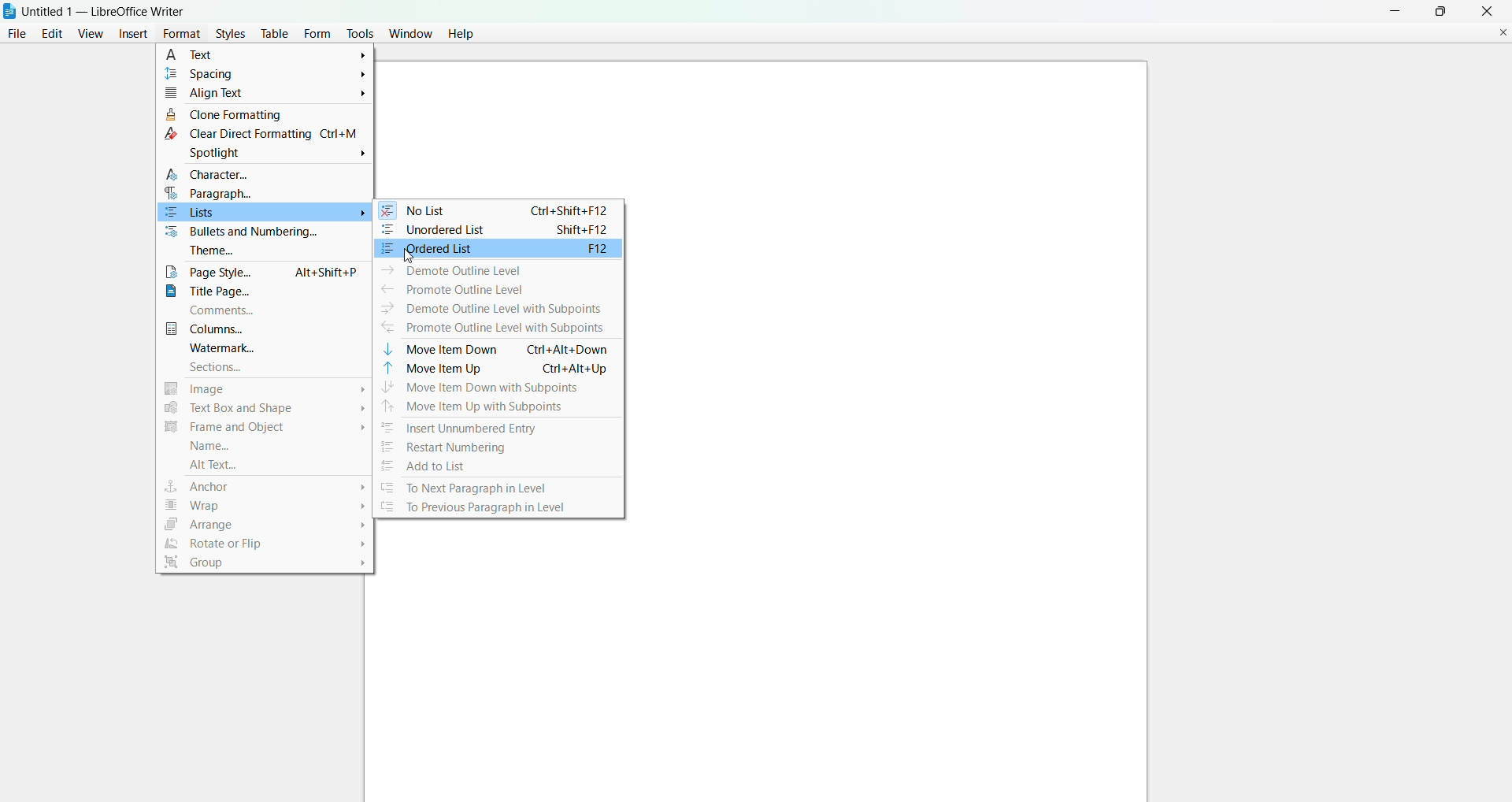 Image resolution: width=1512 pixels, height=802 pixels. Describe the element at coordinates (265, 507) in the screenshot. I see `wrap` at that location.